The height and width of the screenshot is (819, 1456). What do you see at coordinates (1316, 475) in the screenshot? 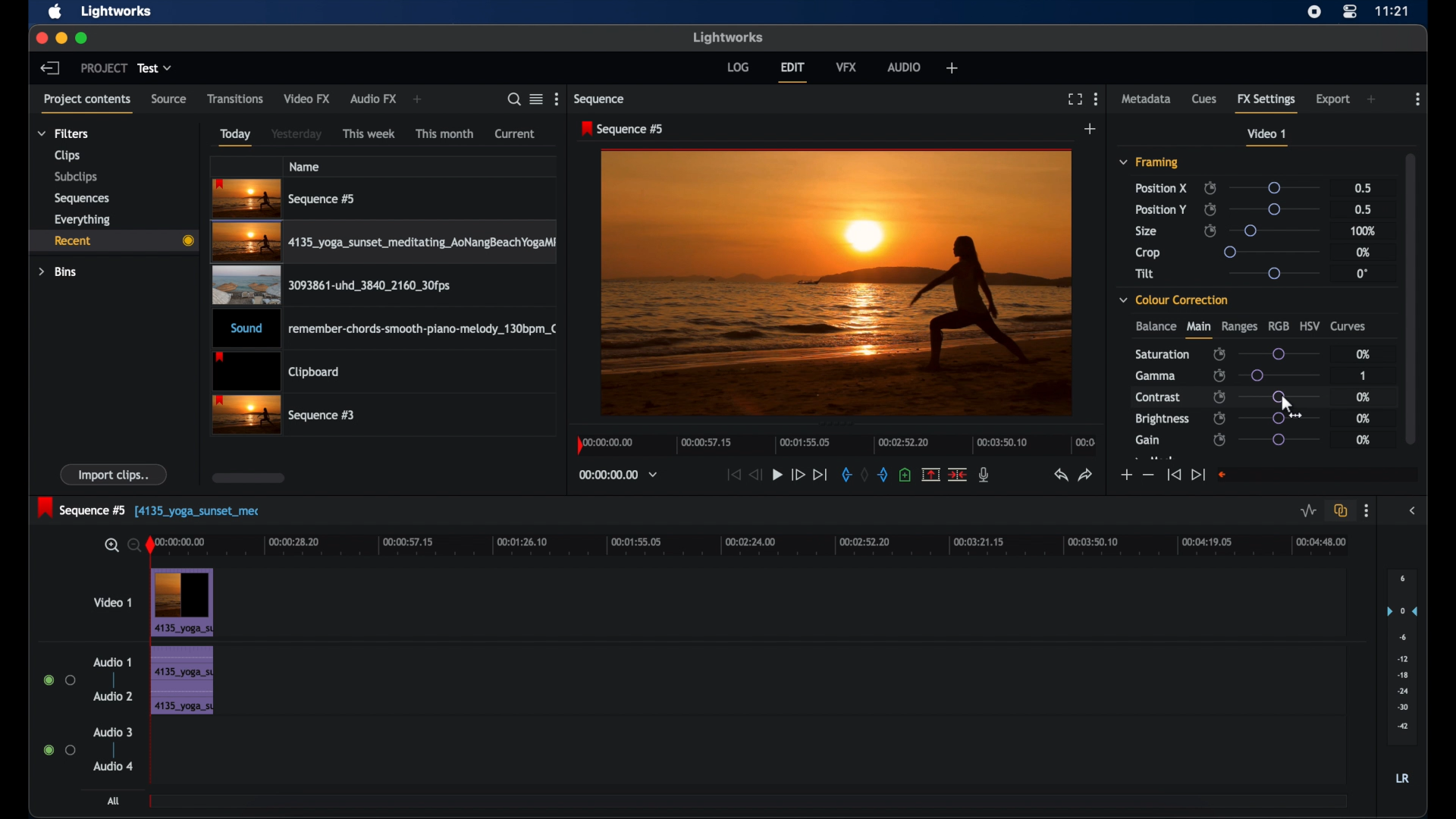
I see `empty field` at bounding box center [1316, 475].